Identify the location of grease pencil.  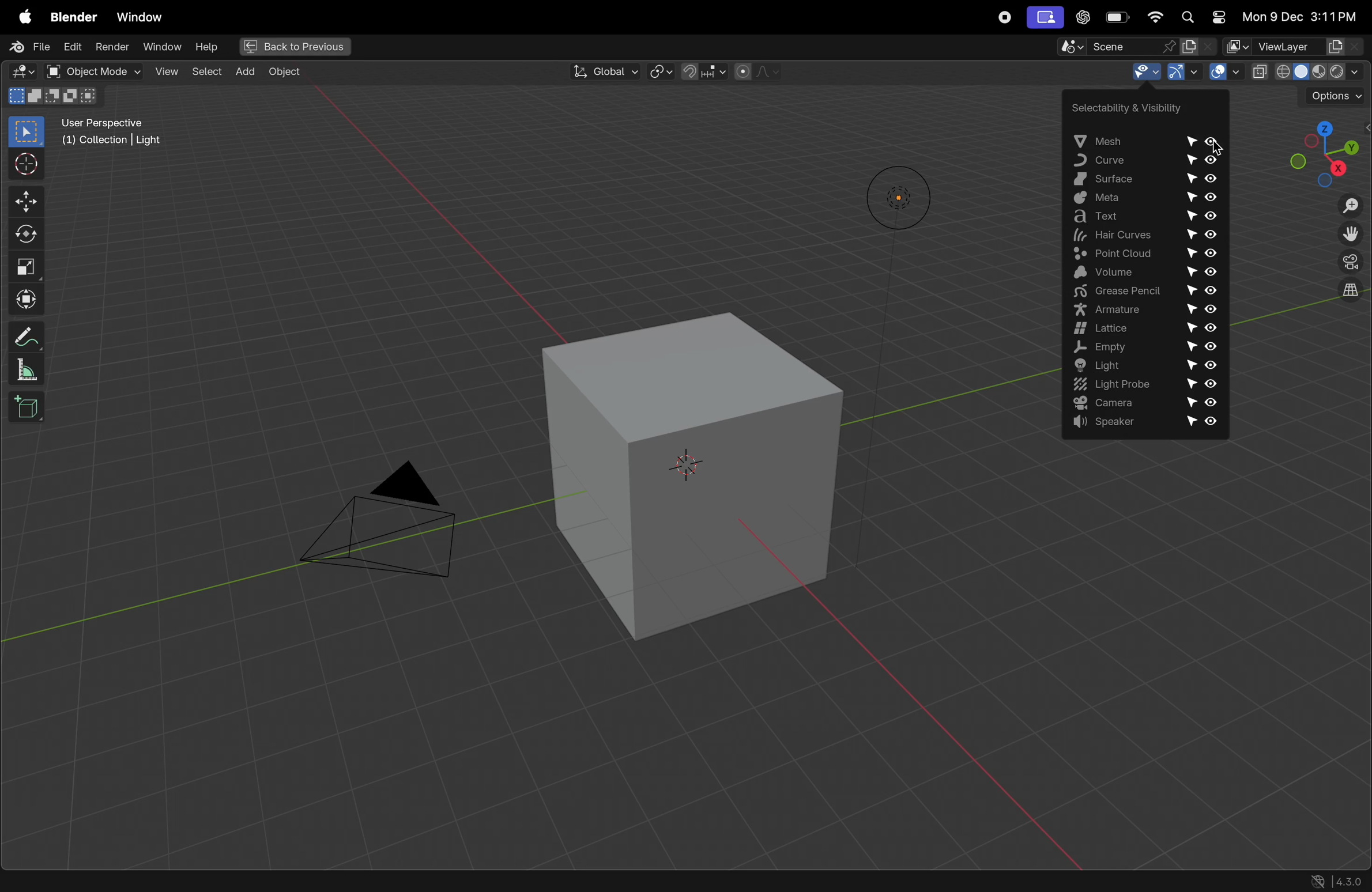
(1146, 292).